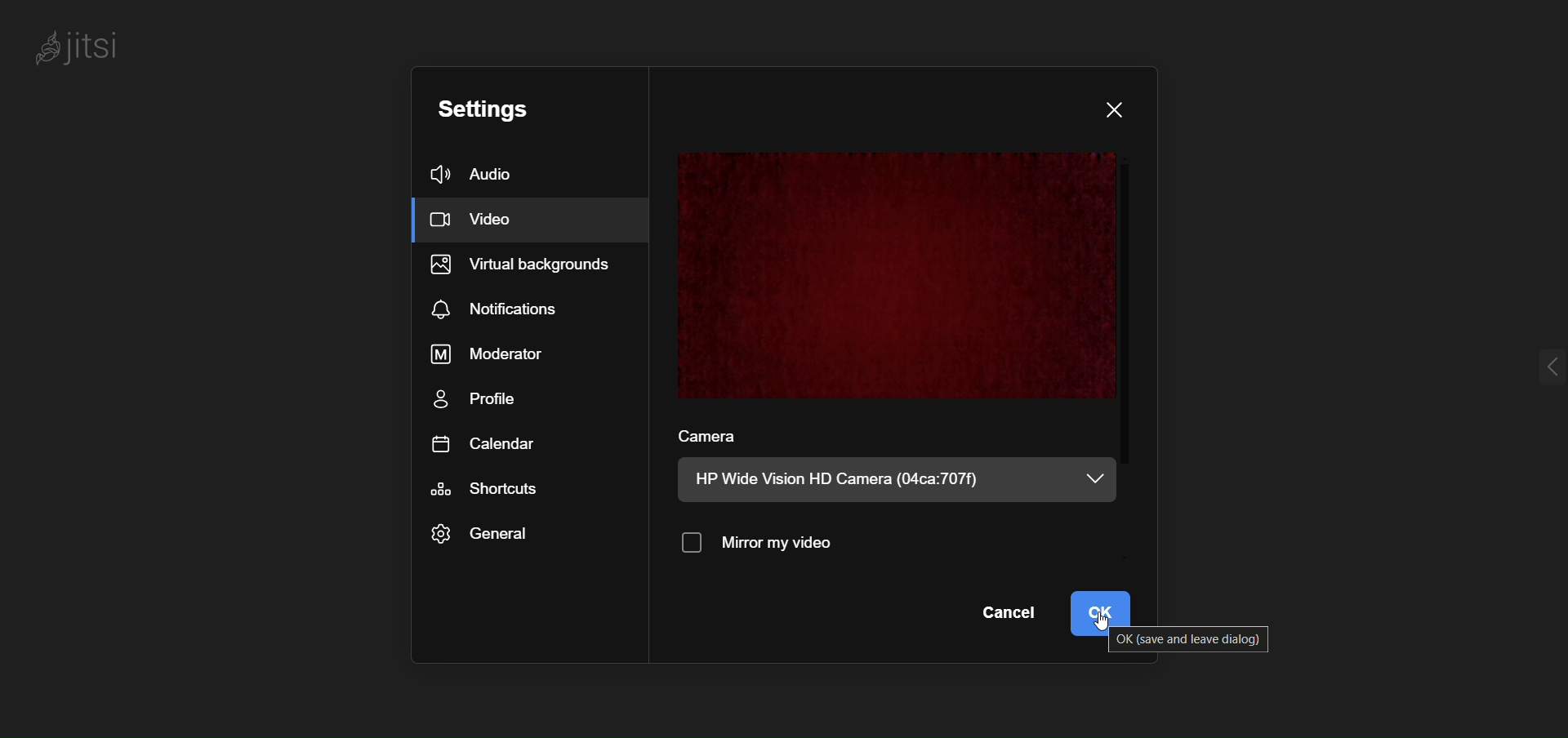  Describe the element at coordinates (490, 220) in the screenshot. I see `video` at that location.